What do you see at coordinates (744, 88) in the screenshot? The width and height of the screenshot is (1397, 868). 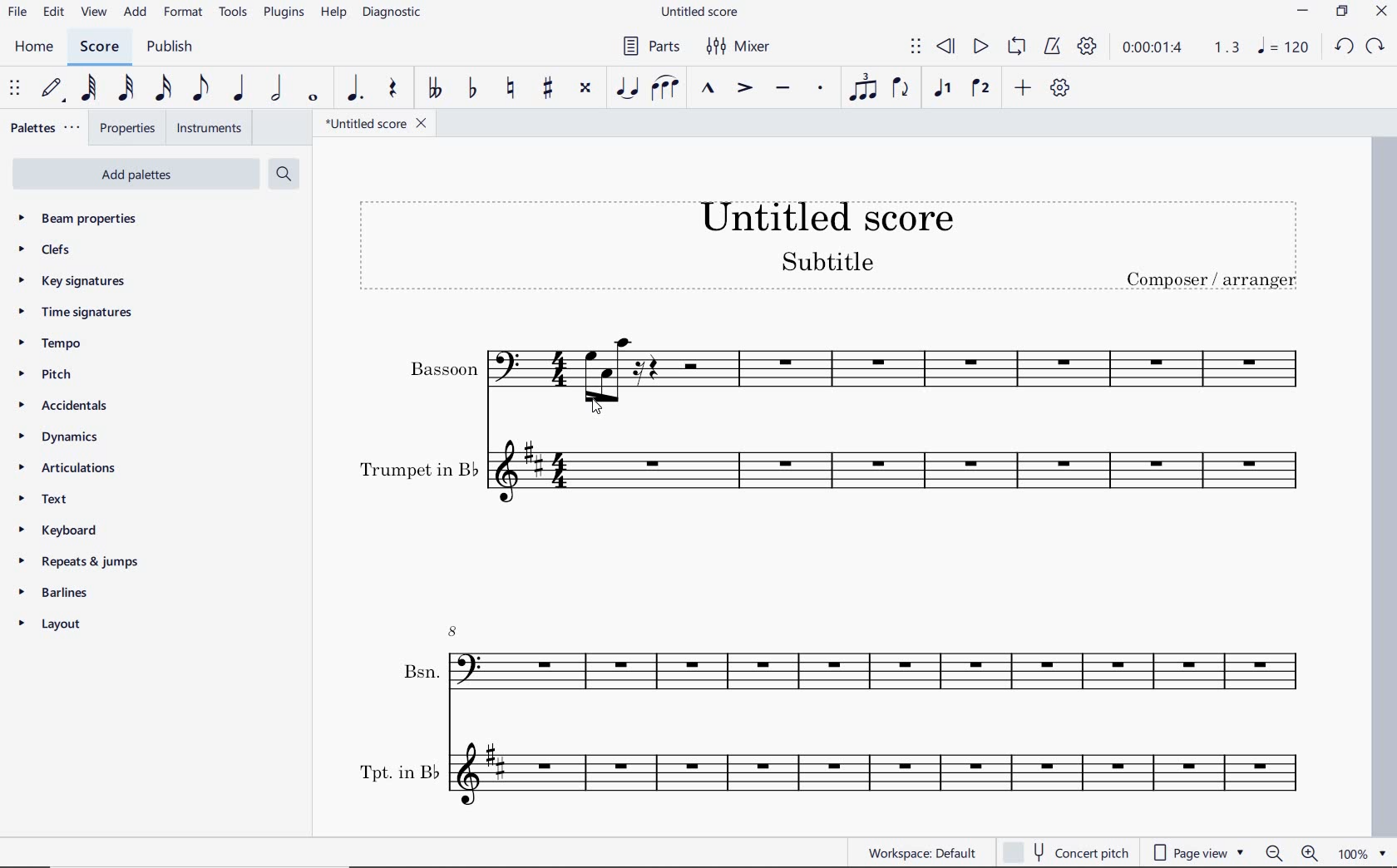 I see `accent` at bounding box center [744, 88].